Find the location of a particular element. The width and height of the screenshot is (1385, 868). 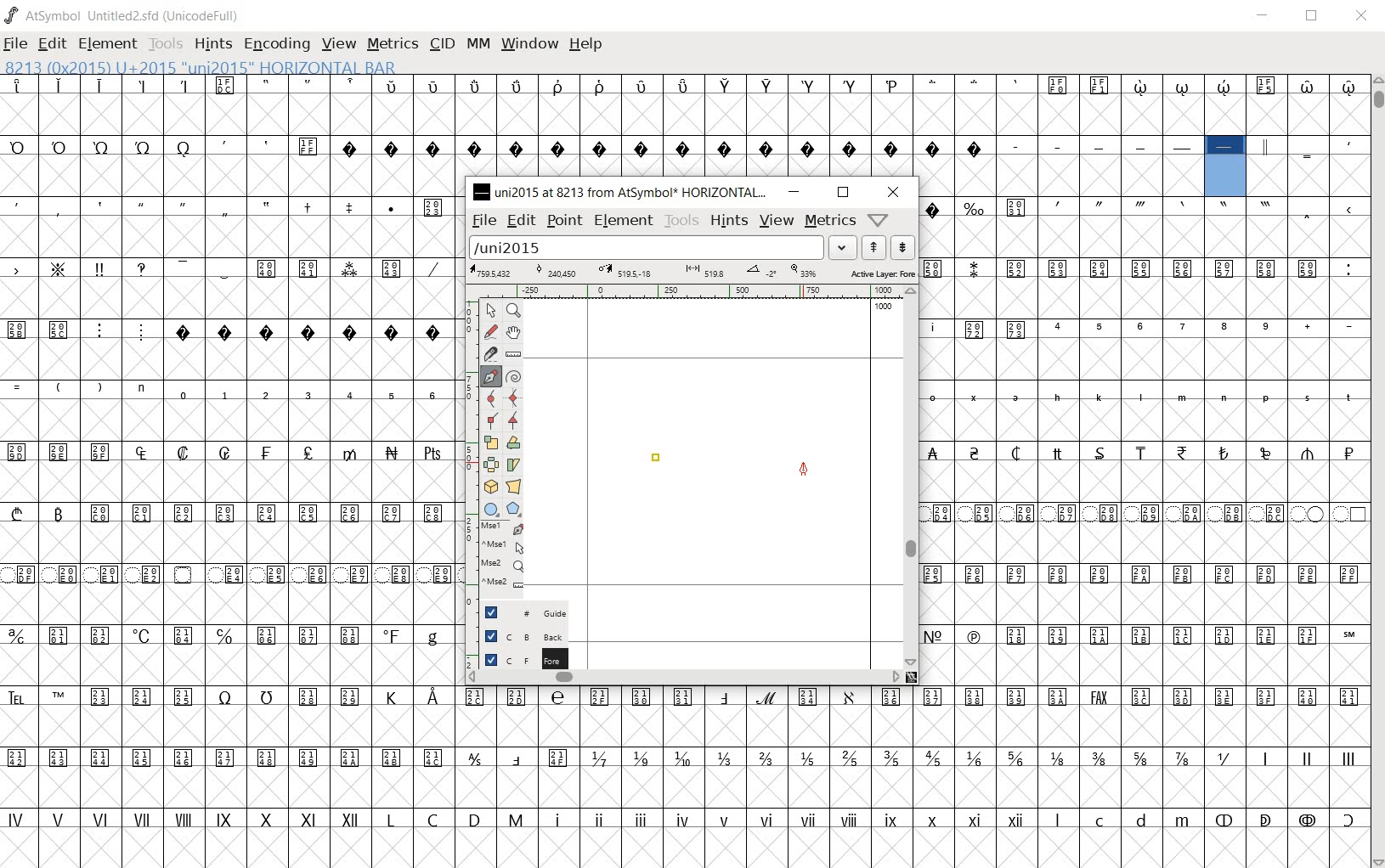

glyph characters is located at coordinates (914, 775).